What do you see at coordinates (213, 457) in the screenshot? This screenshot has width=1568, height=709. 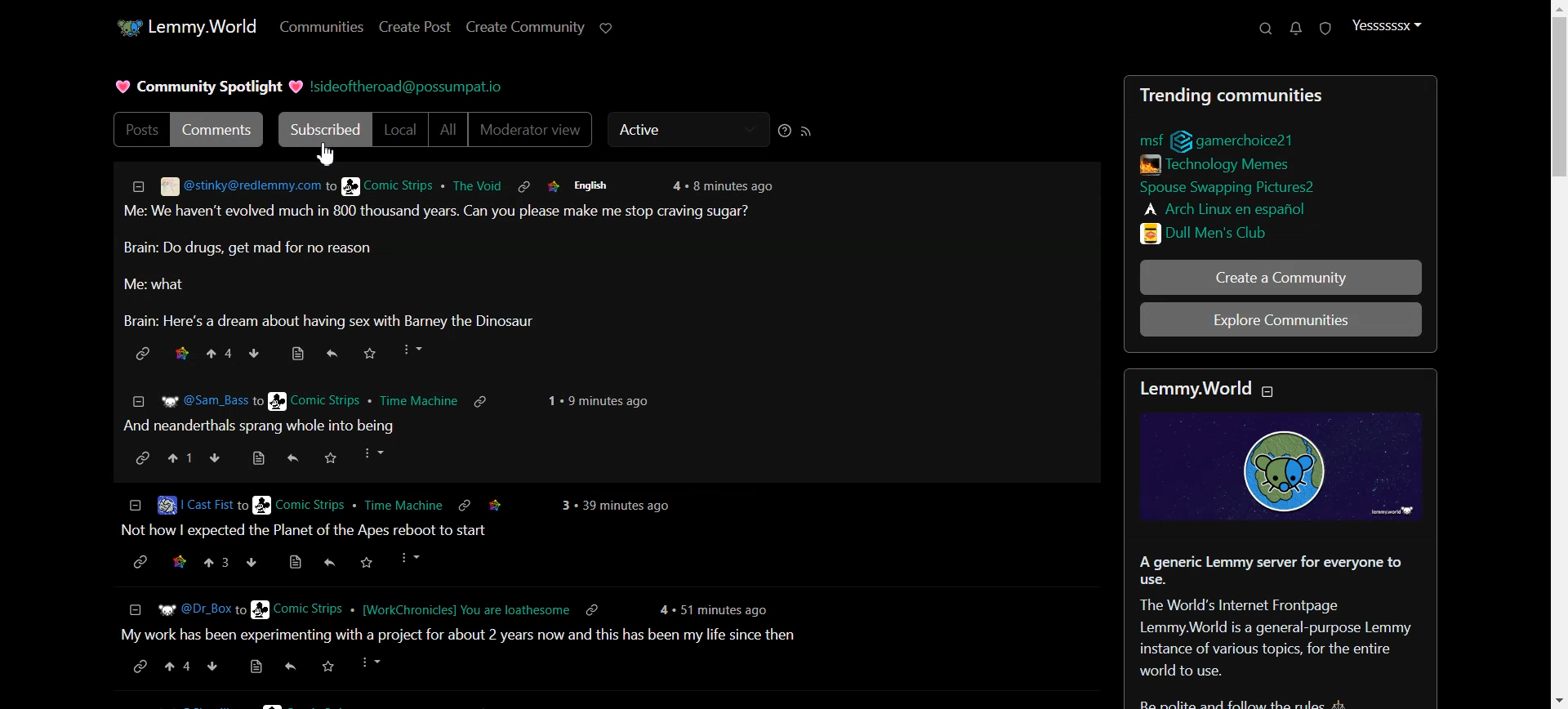 I see `downvote` at bounding box center [213, 457].